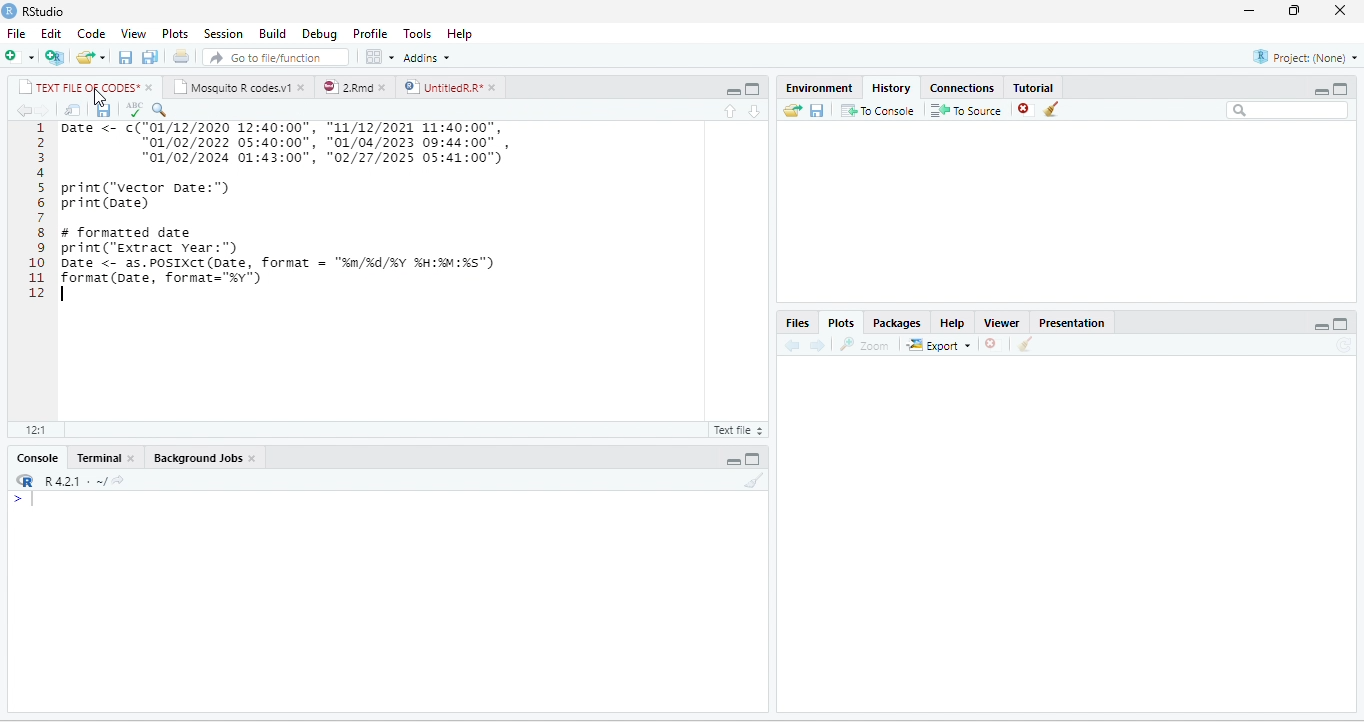  I want to click on close file, so click(1026, 109).